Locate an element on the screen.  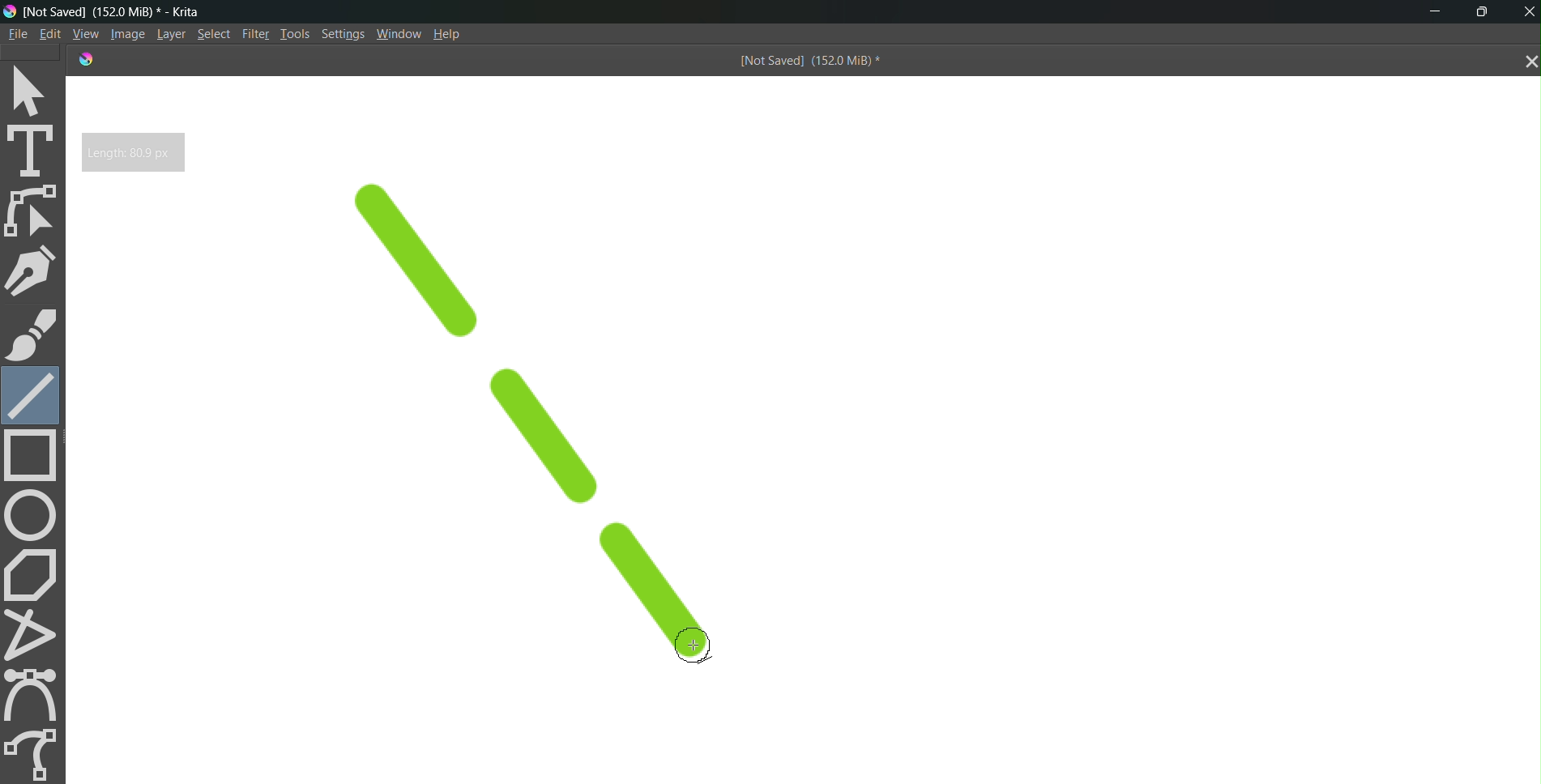
edit shape is located at coordinates (35, 211).